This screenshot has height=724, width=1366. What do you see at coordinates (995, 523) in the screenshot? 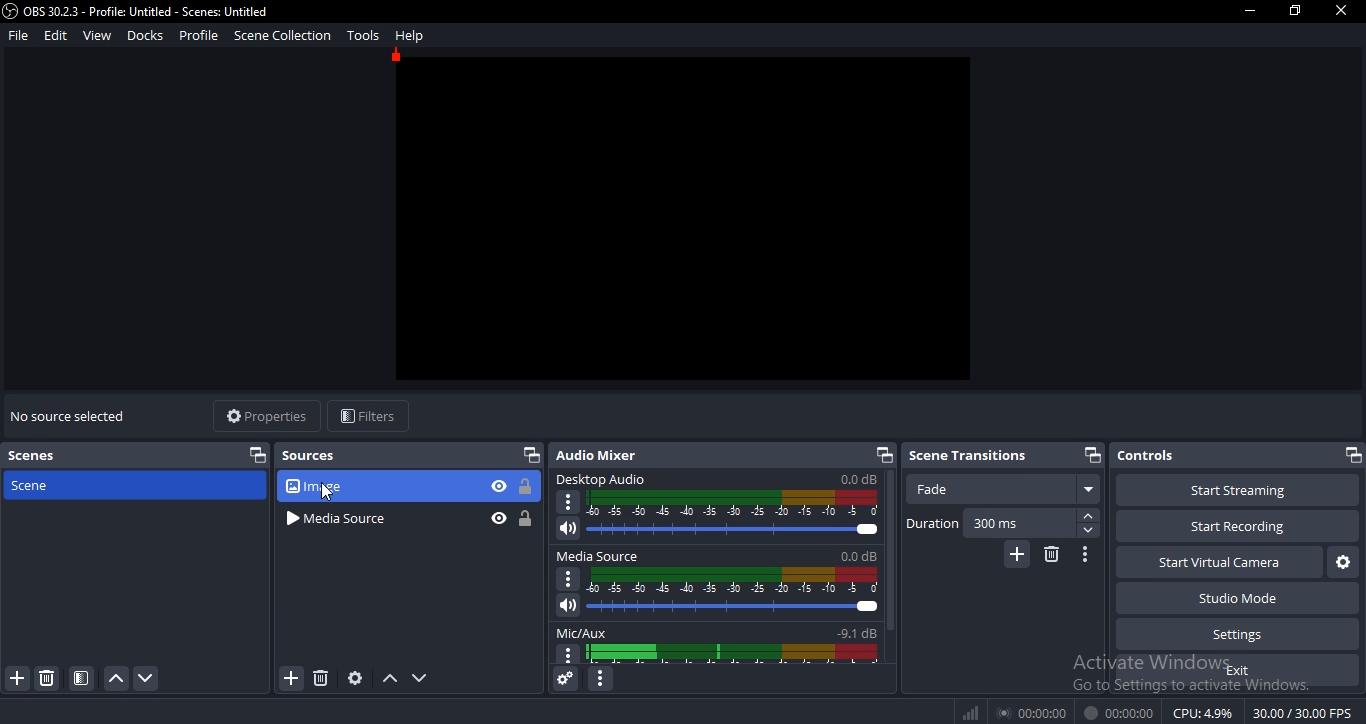
I see `300ms` at bounding box center [995, 523].